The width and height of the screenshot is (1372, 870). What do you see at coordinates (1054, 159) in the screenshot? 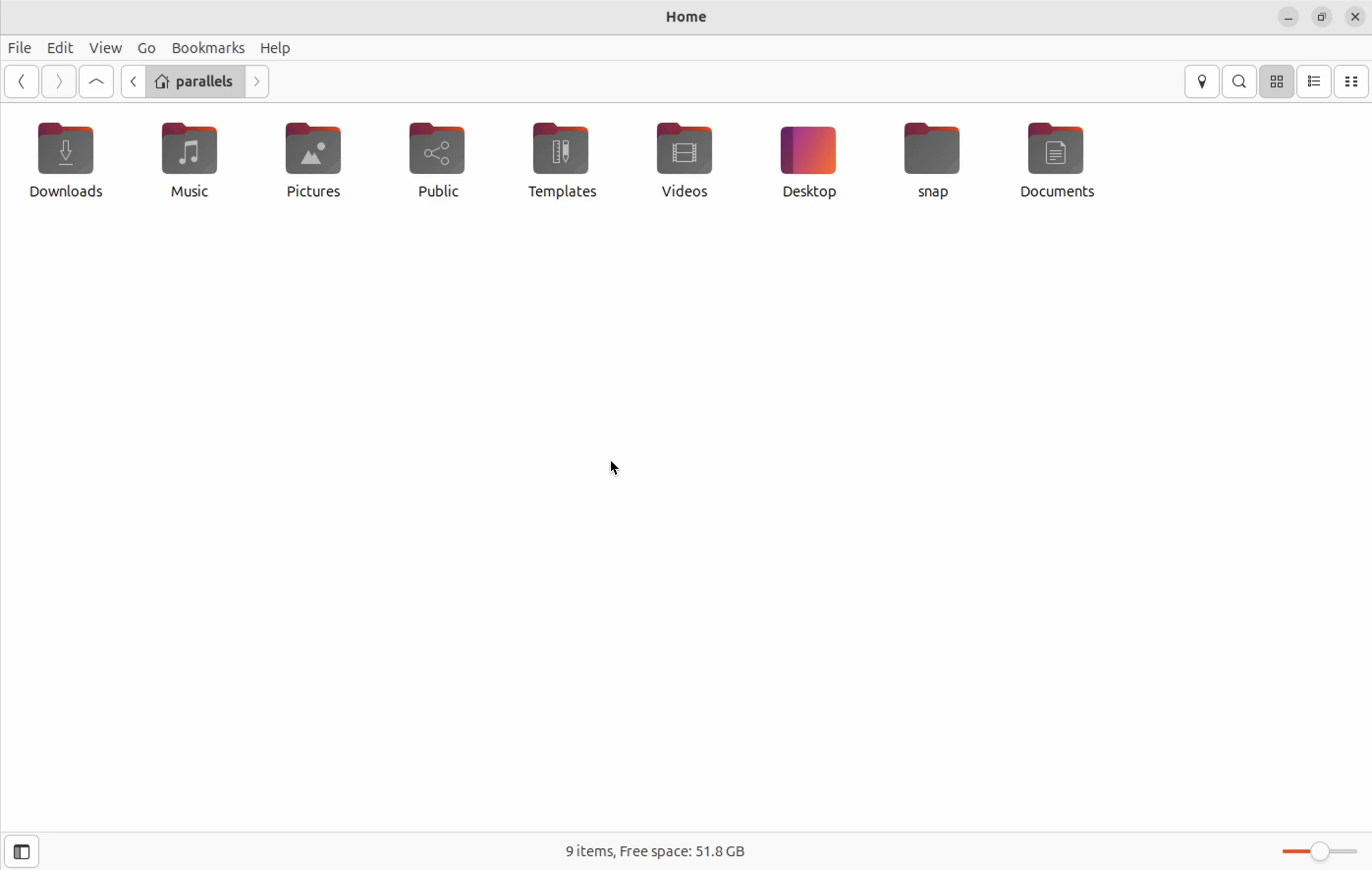
I see `Documents` at bounding box center [1054, 159].